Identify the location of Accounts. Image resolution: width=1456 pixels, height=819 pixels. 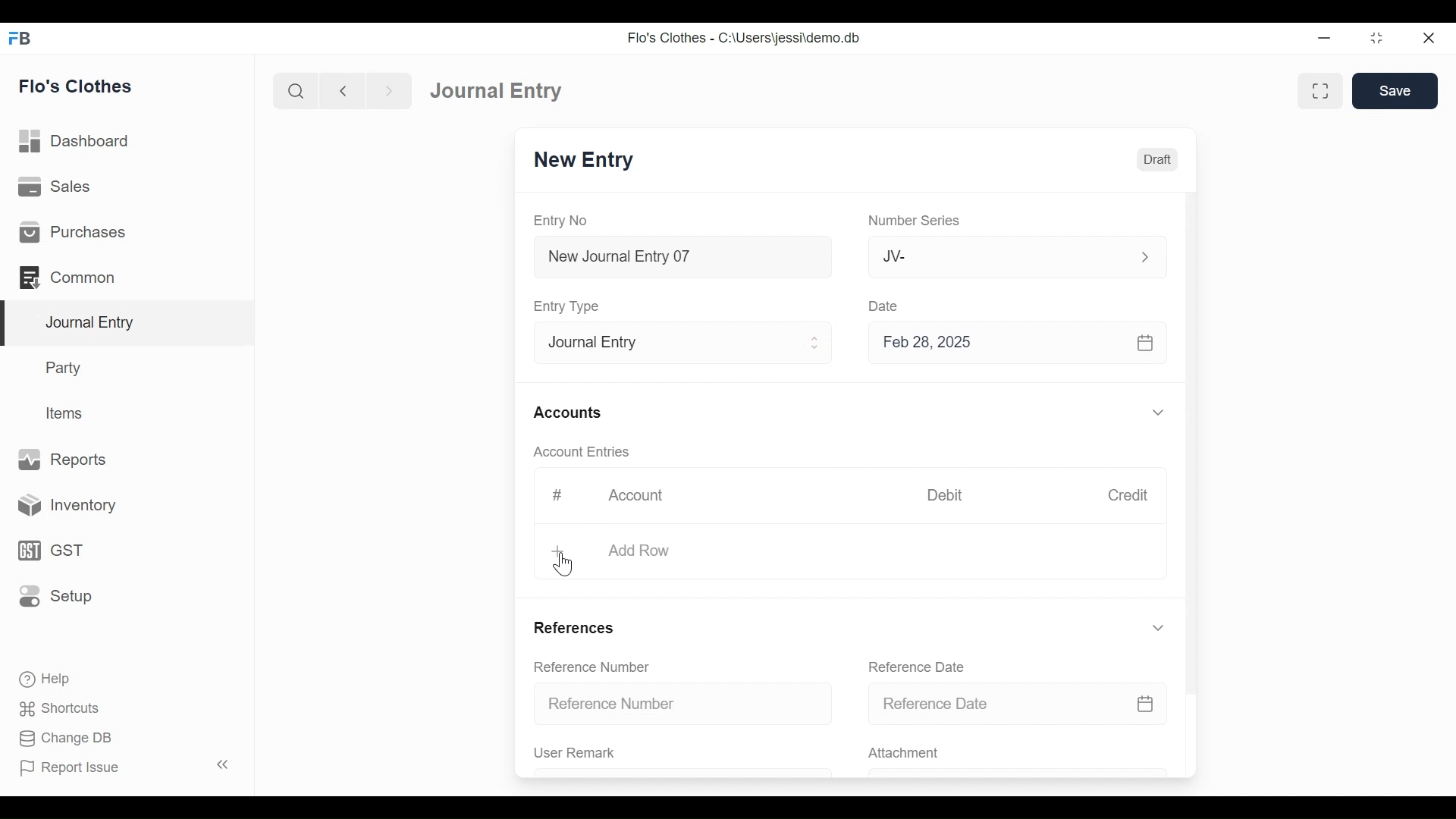
(567, 413).